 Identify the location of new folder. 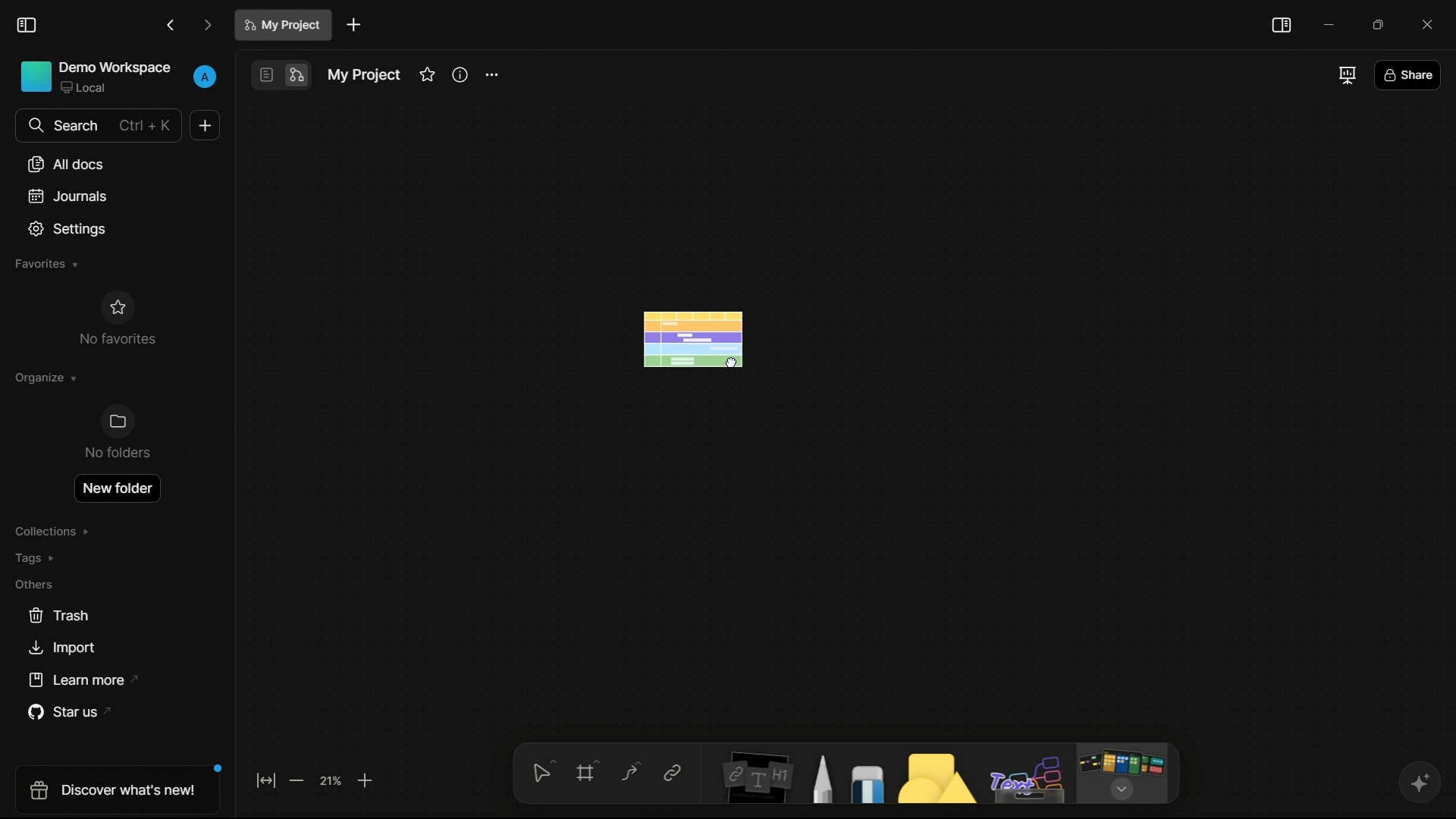
(119, 486).